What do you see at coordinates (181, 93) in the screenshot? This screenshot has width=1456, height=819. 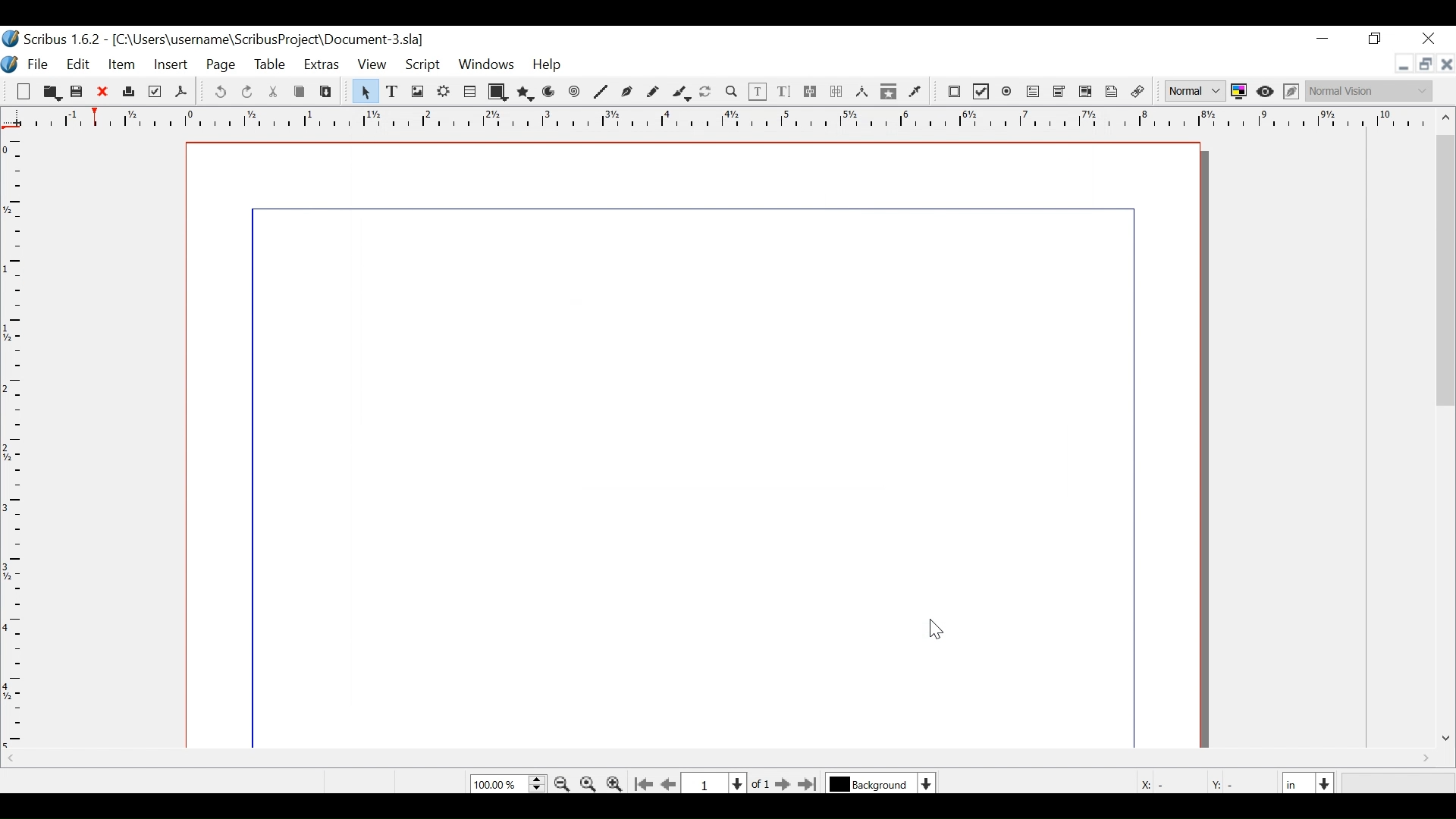 I see `Save as Pdf` at bounding box center [181, 93].